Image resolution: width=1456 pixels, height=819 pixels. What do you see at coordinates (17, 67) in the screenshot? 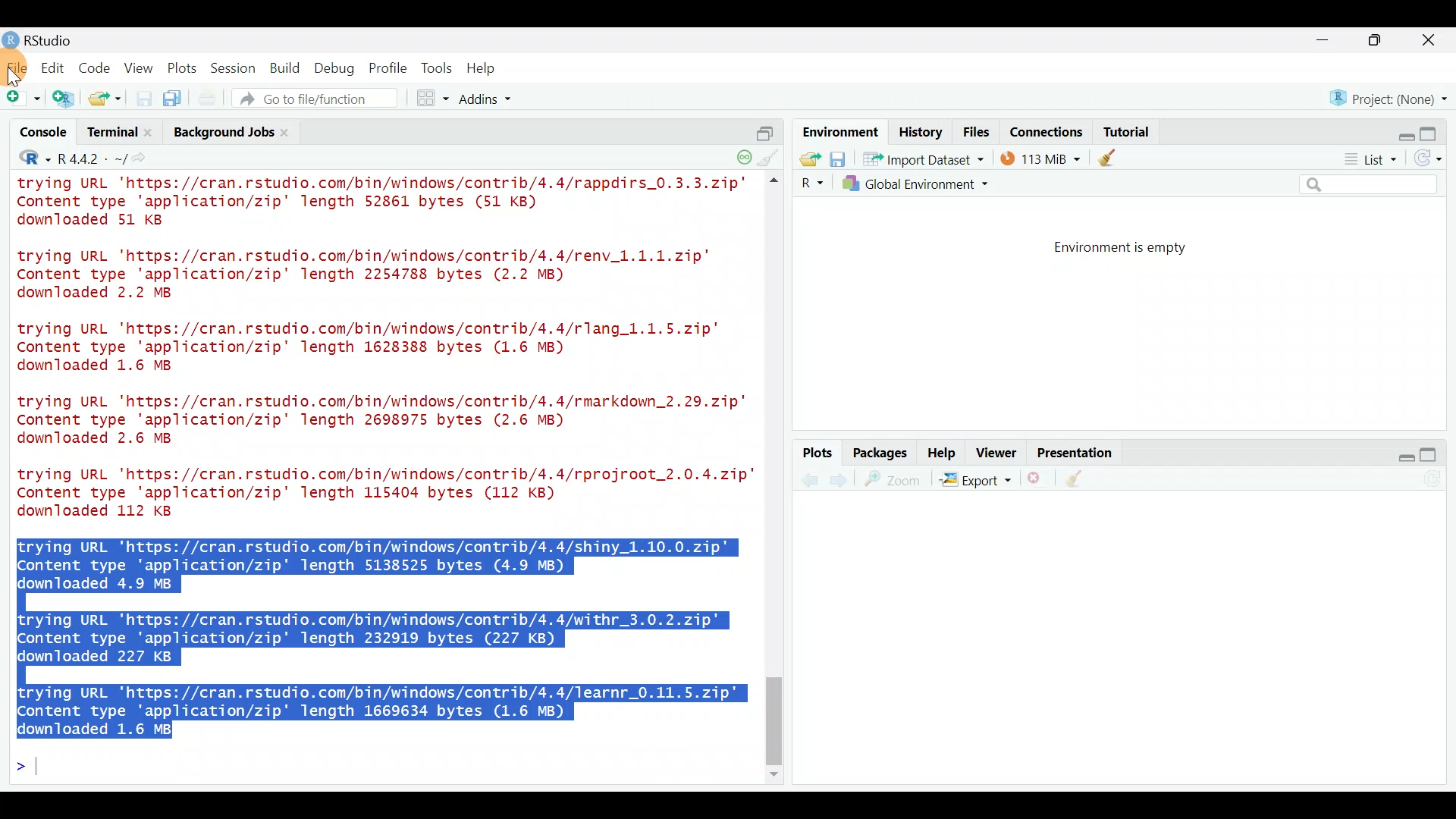
I see `File` at bounding box center [17, 67].